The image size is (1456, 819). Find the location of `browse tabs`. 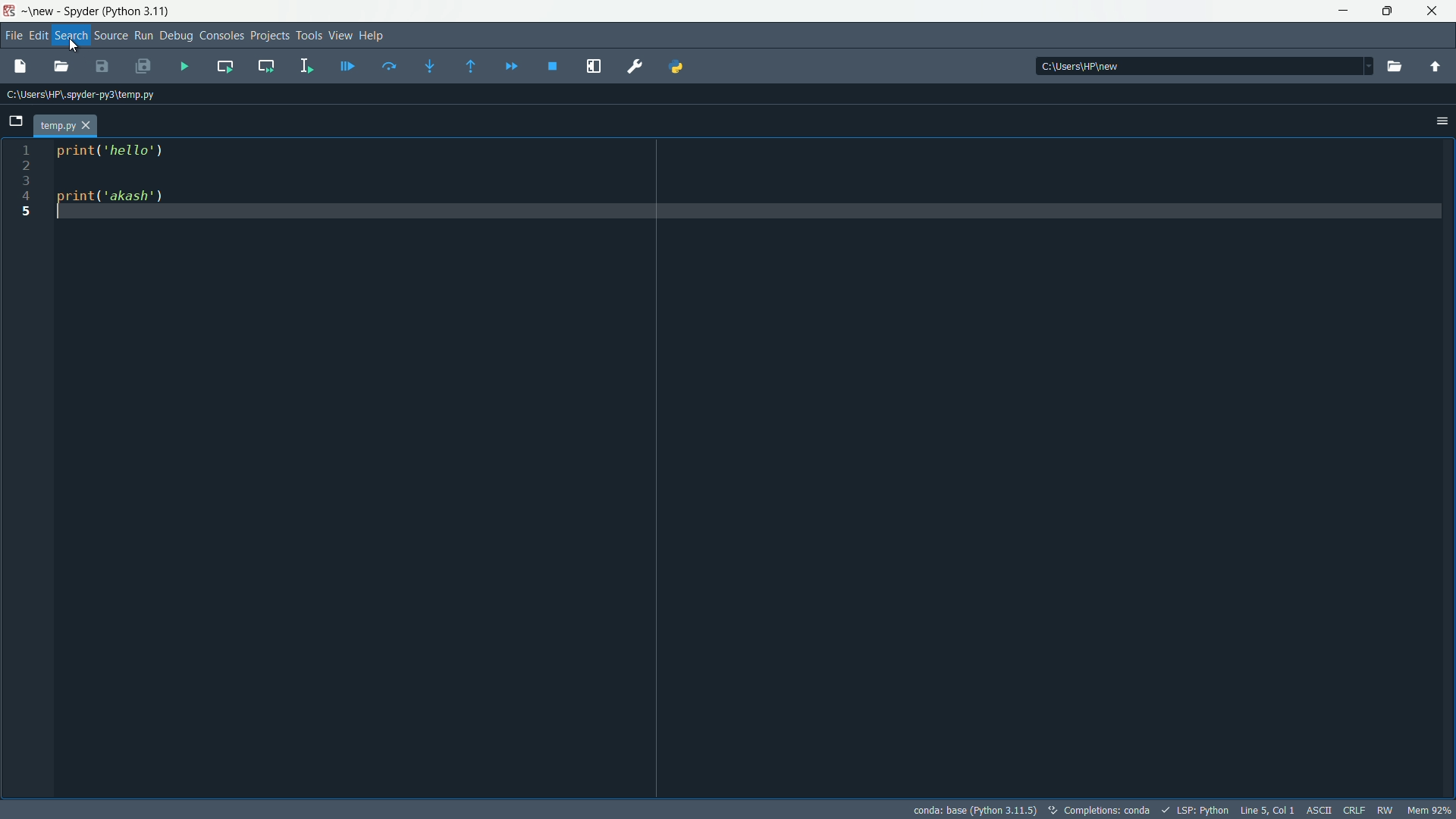

browse tabs is located at coordinates (15, 123).